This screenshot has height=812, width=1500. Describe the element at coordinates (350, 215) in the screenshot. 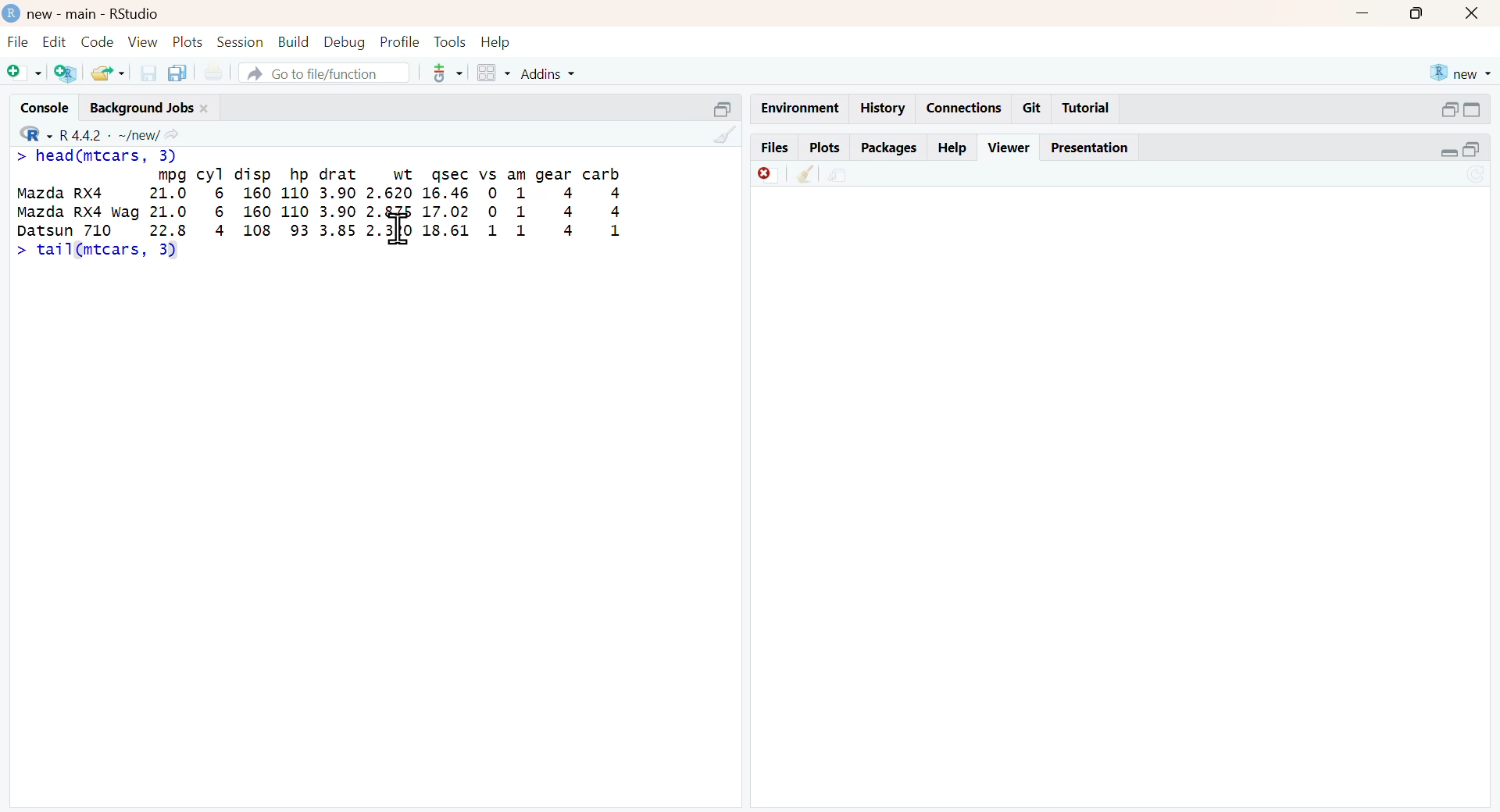

I see `mpg cyl disp hp drat wt sec vs am gear carb
Mazda RX4 21.0 6 160 110 3.90 2.620 16.46 0 1 4 4
Mazda RX4 wag 21.0 6 160 110 3.90 2. 17.02 0 1 4 4
ren 710 22.8 4 108 93 3.85 23 18.61 1 1 4 1
>` at that location.